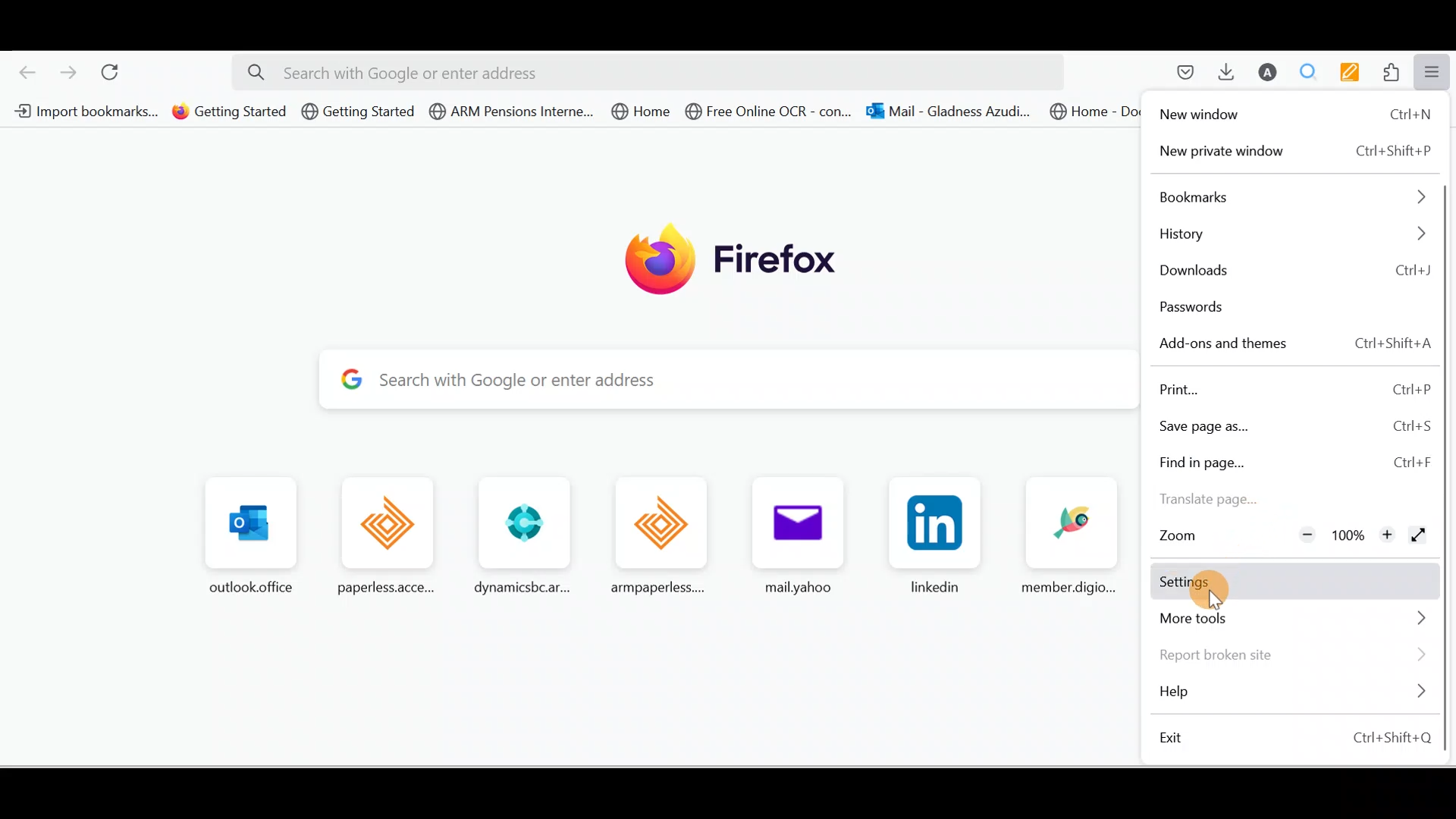 The width and height of the screenshot is (1456, 819). Describe the element at coordinates (952, 114) in the screenshot. I see `Bookmark 7` at that location.